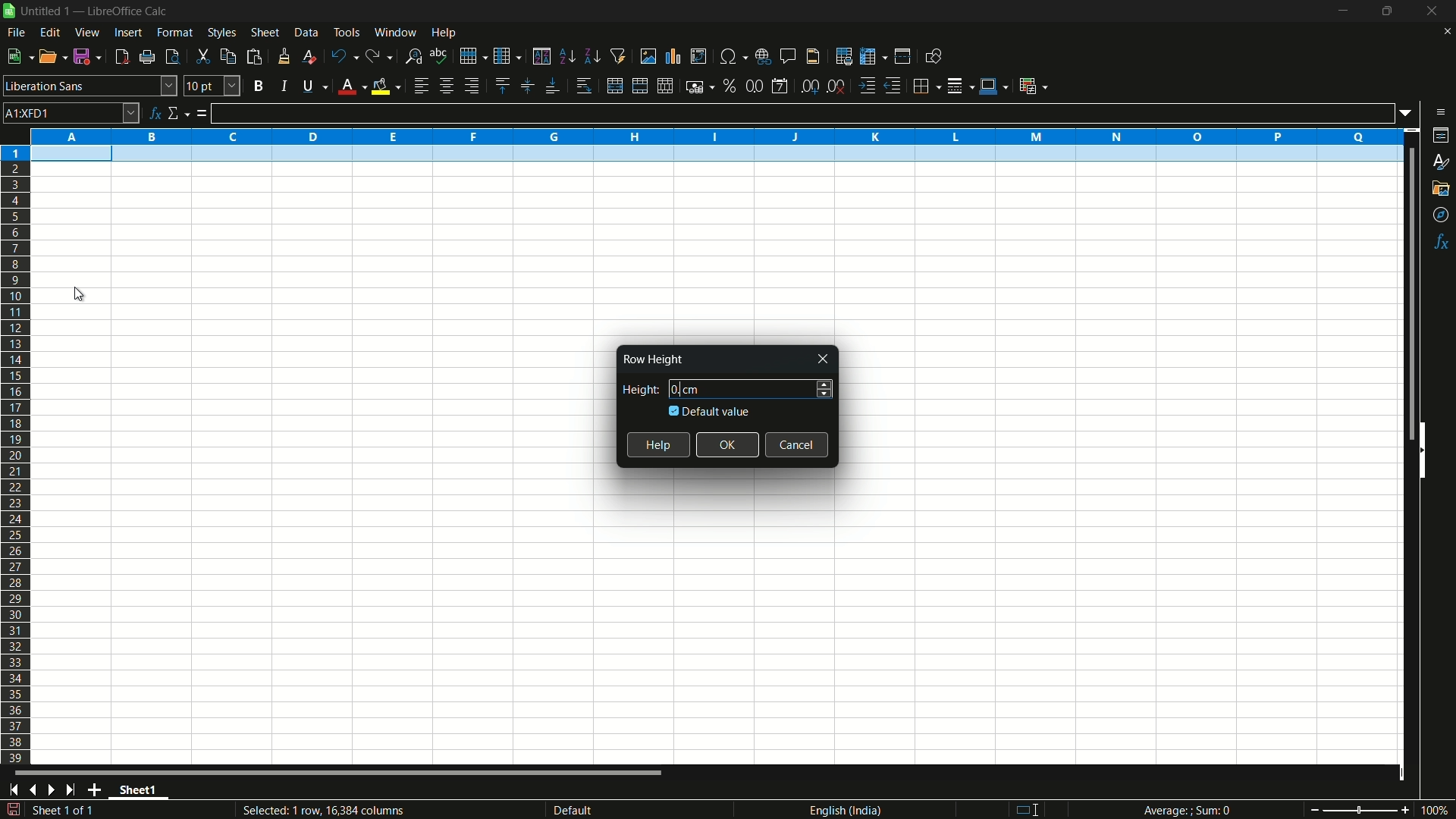 The height and width of the screenshot is (819, 1456). I want to click on previous sheet, so click(32, 790).